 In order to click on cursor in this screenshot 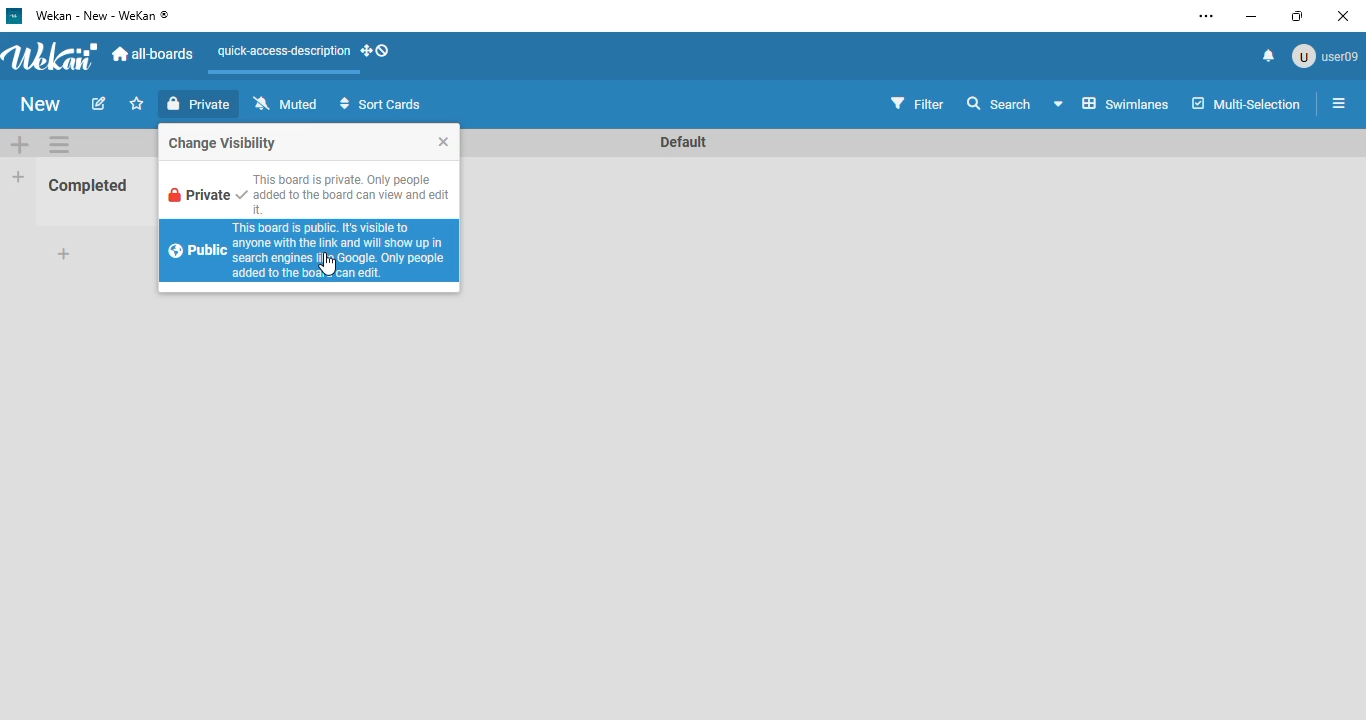, I will do `click(330, 264)`.